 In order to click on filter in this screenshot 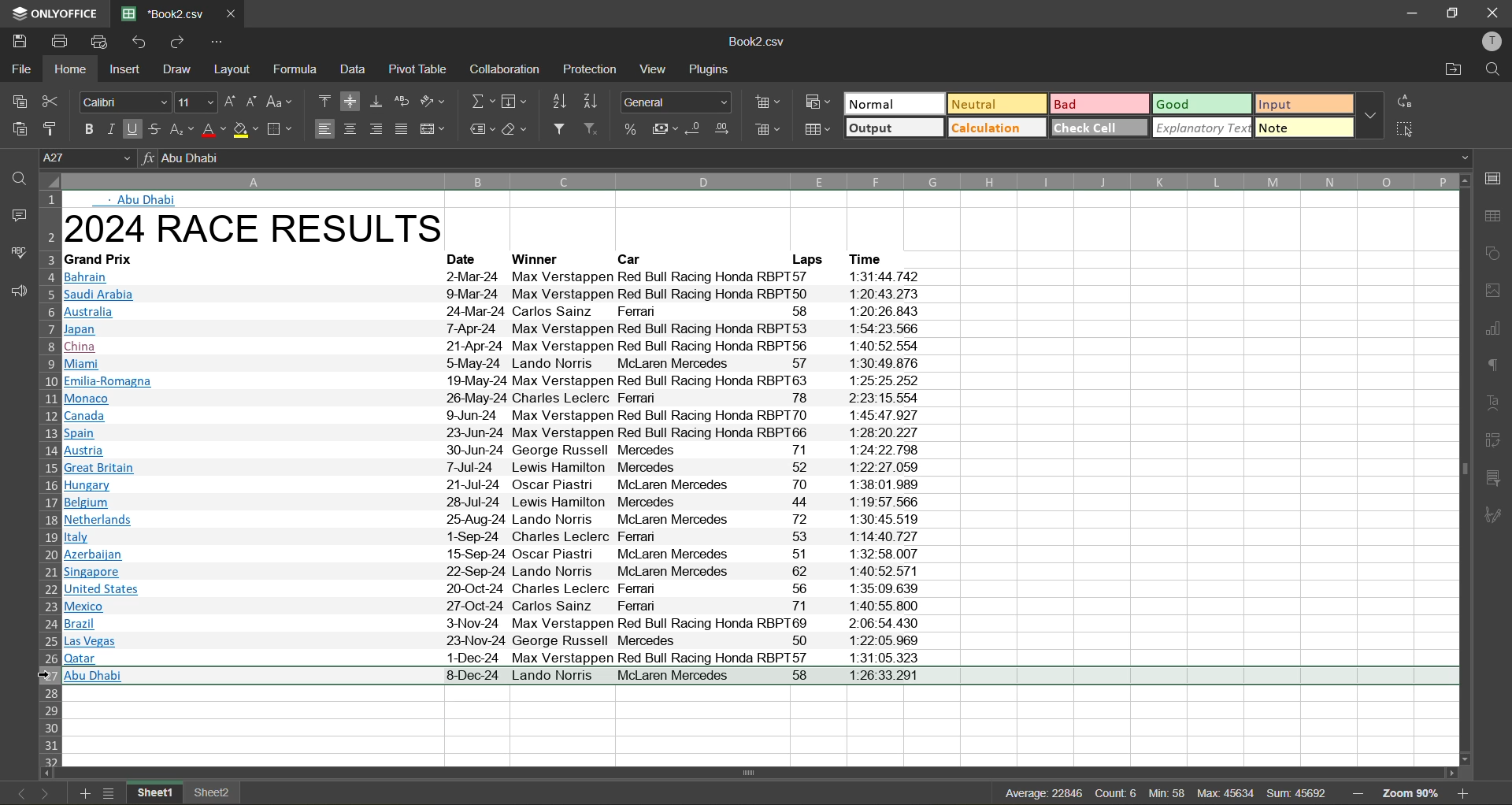, I will do `click(564, 130)`.